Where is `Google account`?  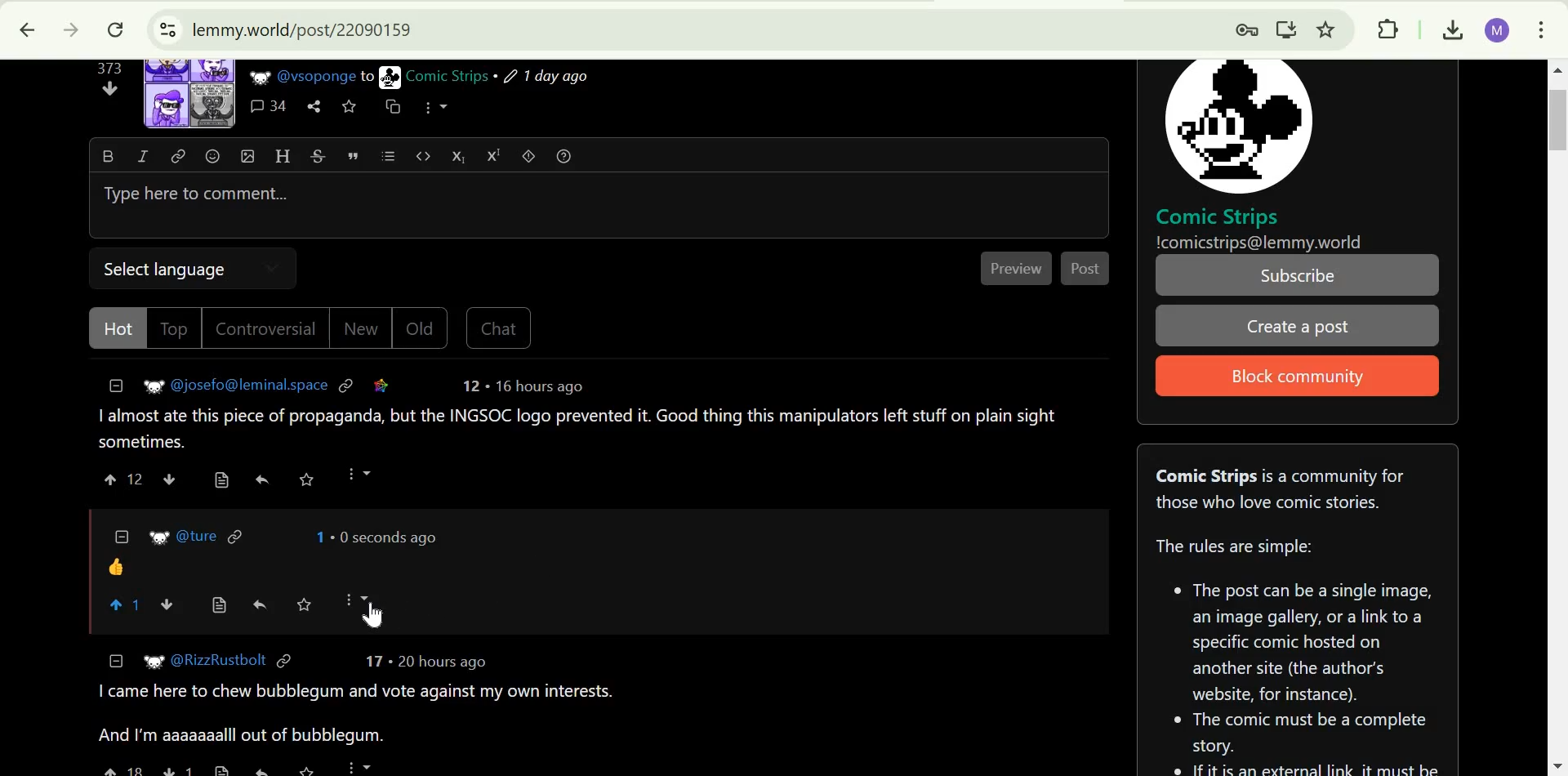
Google account is located at coordinates (1496, 29).